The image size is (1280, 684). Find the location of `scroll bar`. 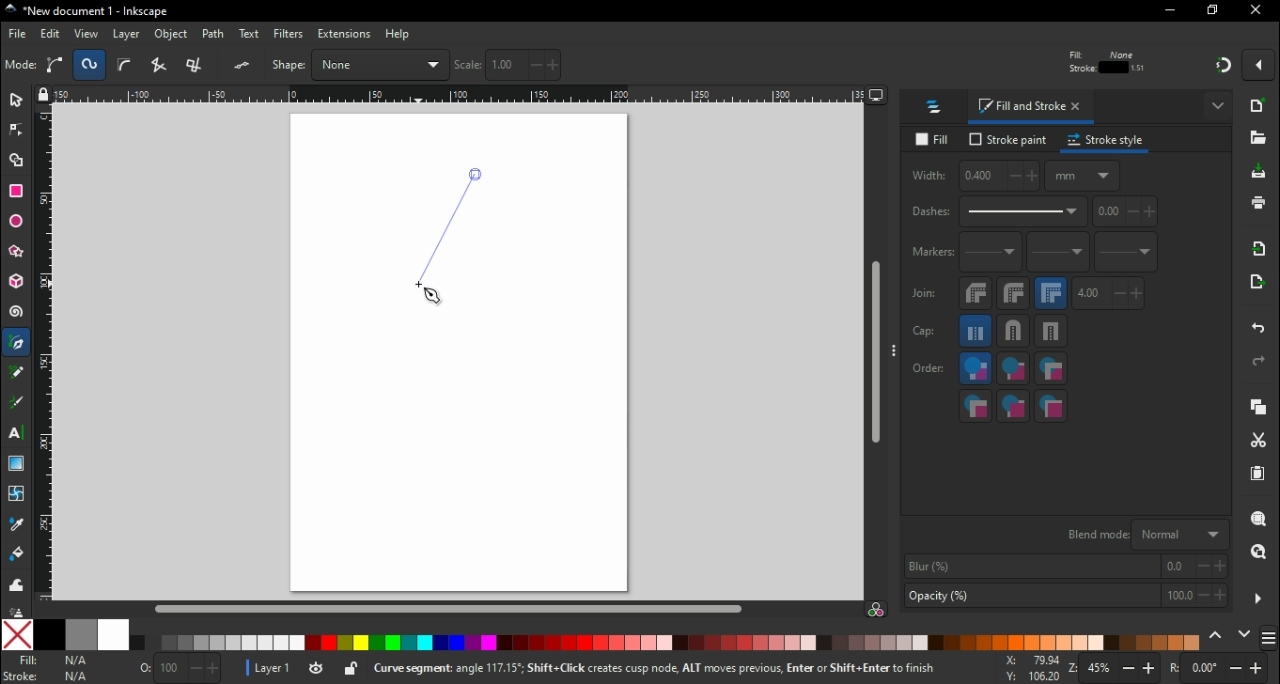

scroll bar is located at coordinates (448, 609).